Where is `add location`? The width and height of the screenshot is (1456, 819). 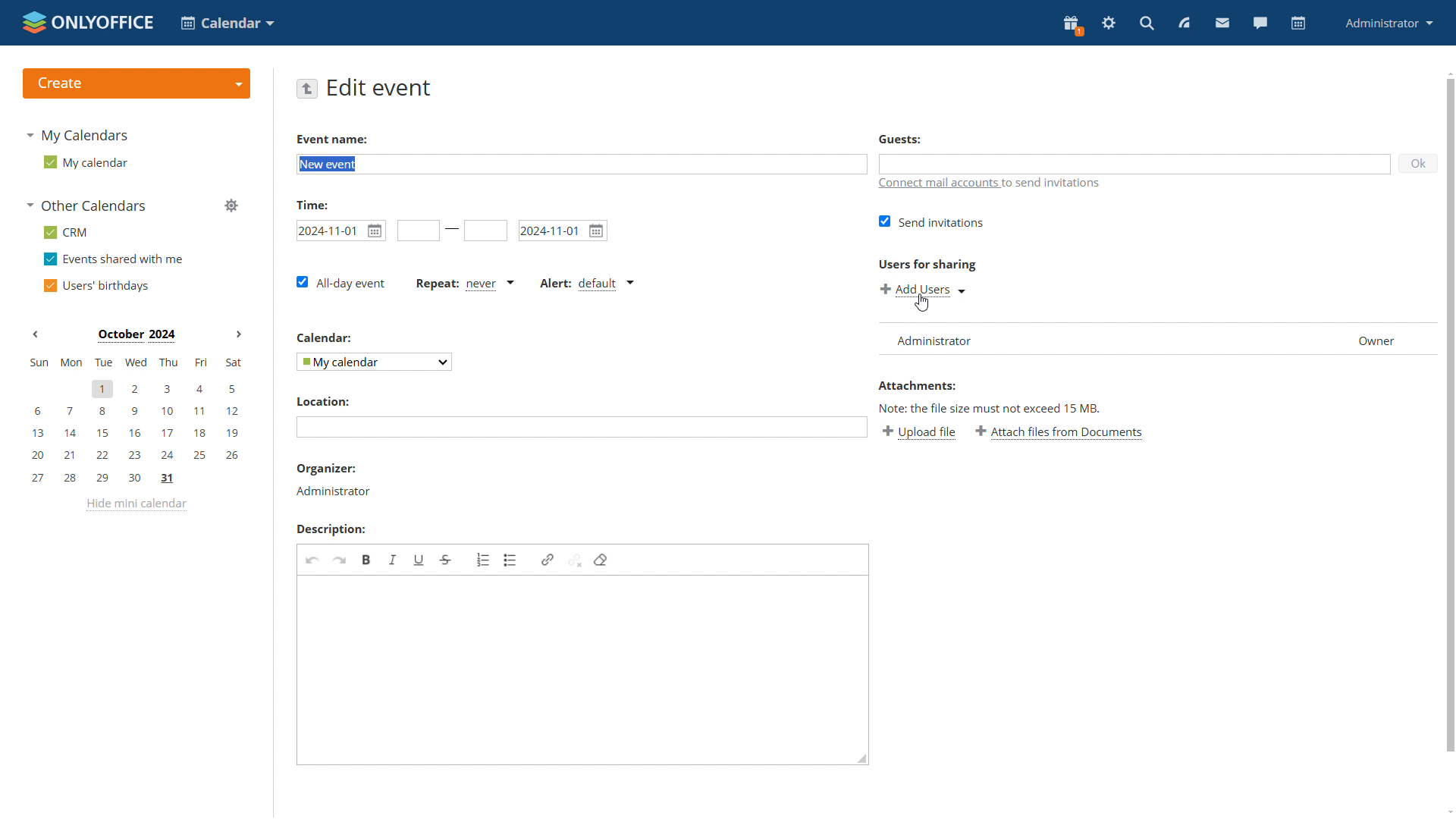
add location is located at coordinates (582, 426).